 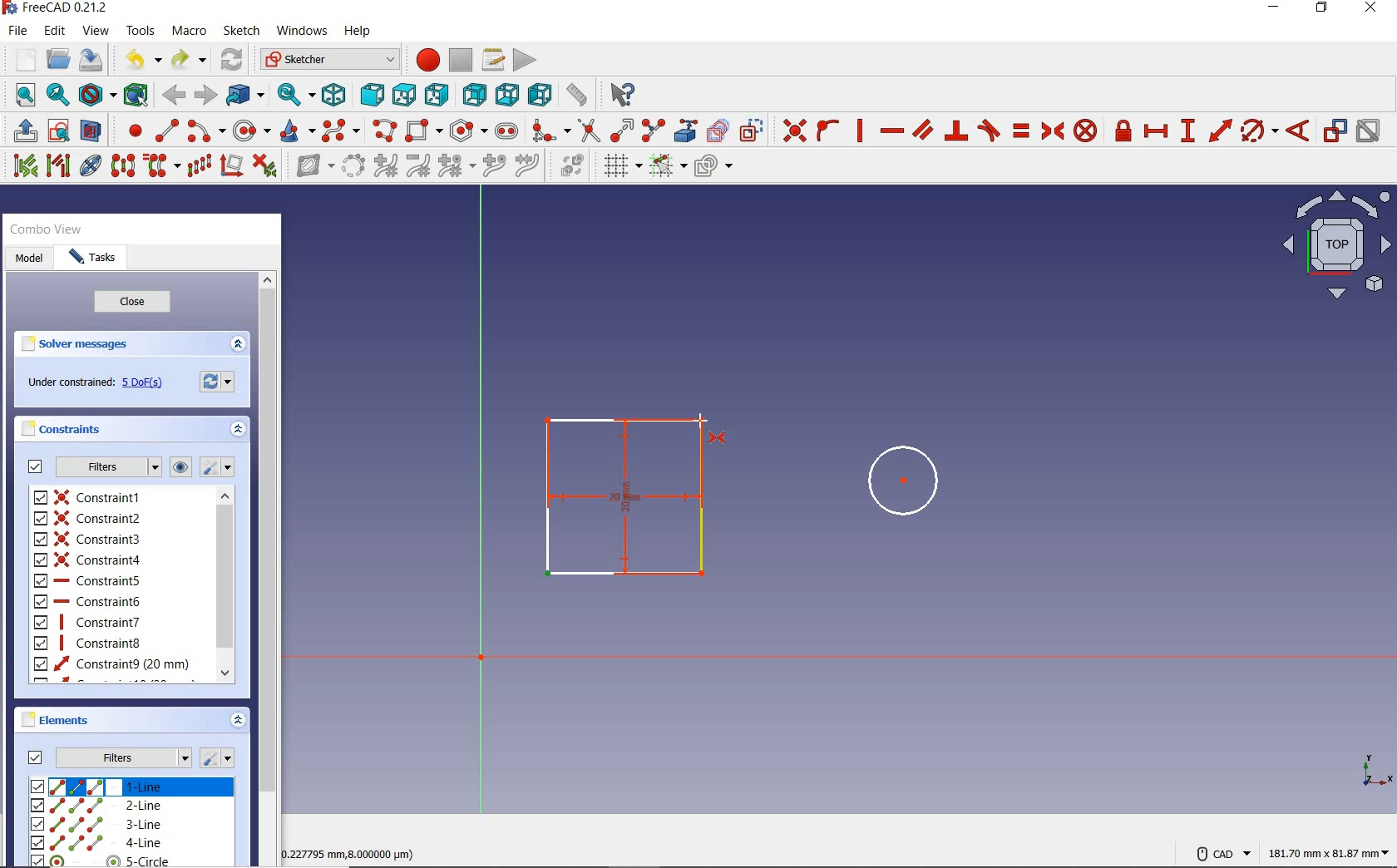 I want to click on edit, so click(x=55, y=32).